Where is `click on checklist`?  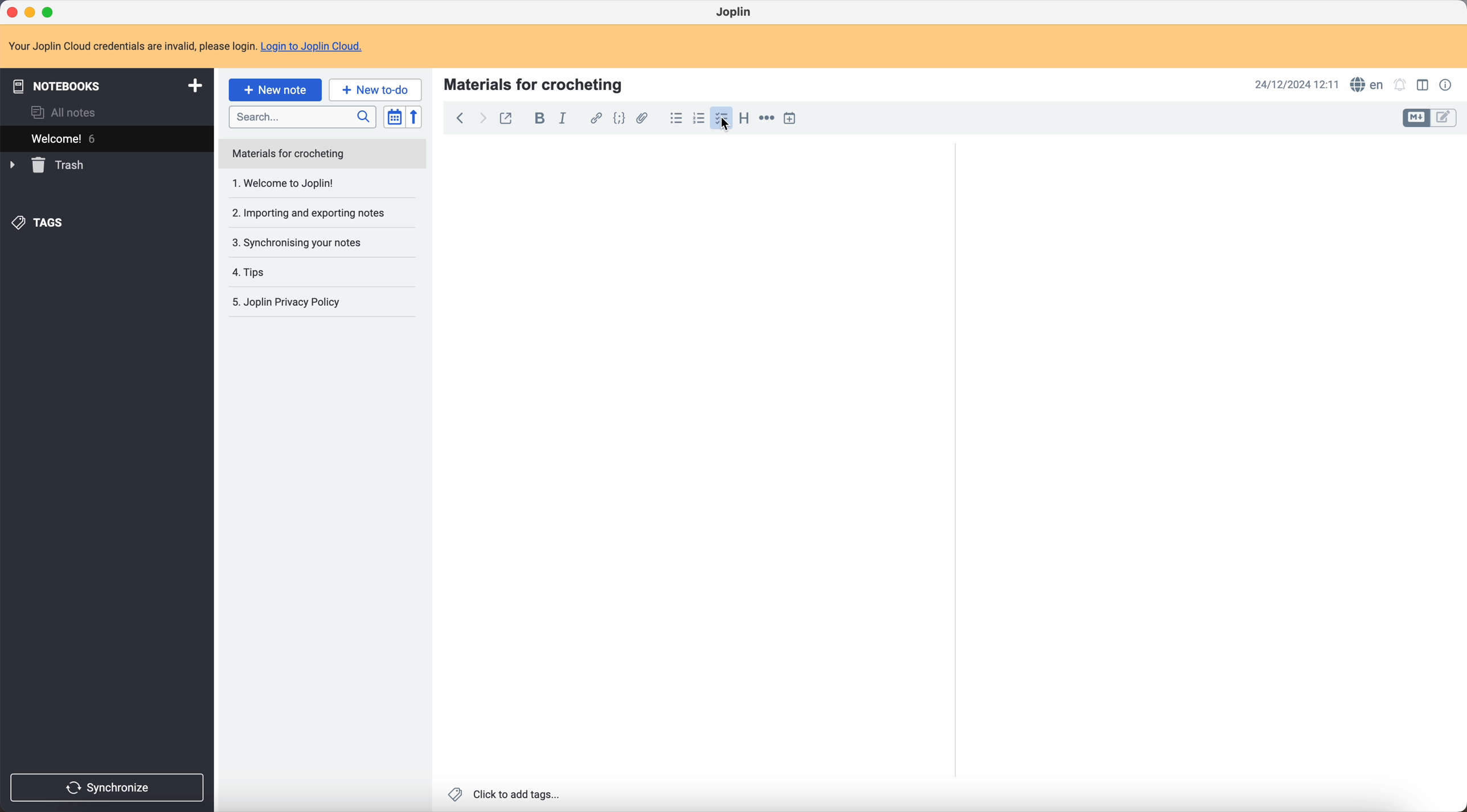 click on checklist is located at coordinates (723, 118).